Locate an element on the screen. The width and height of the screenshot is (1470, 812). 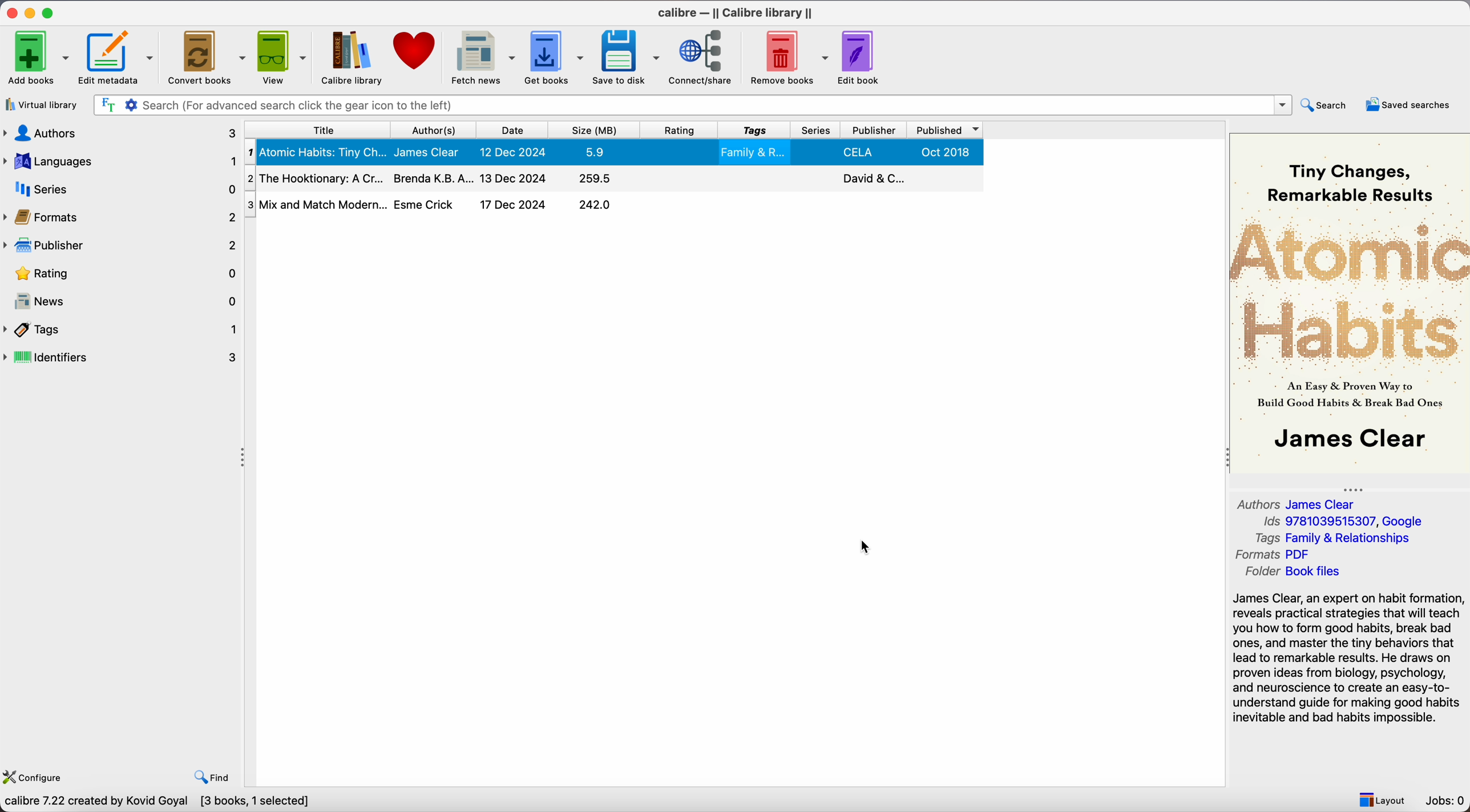
5.9 is located at coordinates (597, 152).